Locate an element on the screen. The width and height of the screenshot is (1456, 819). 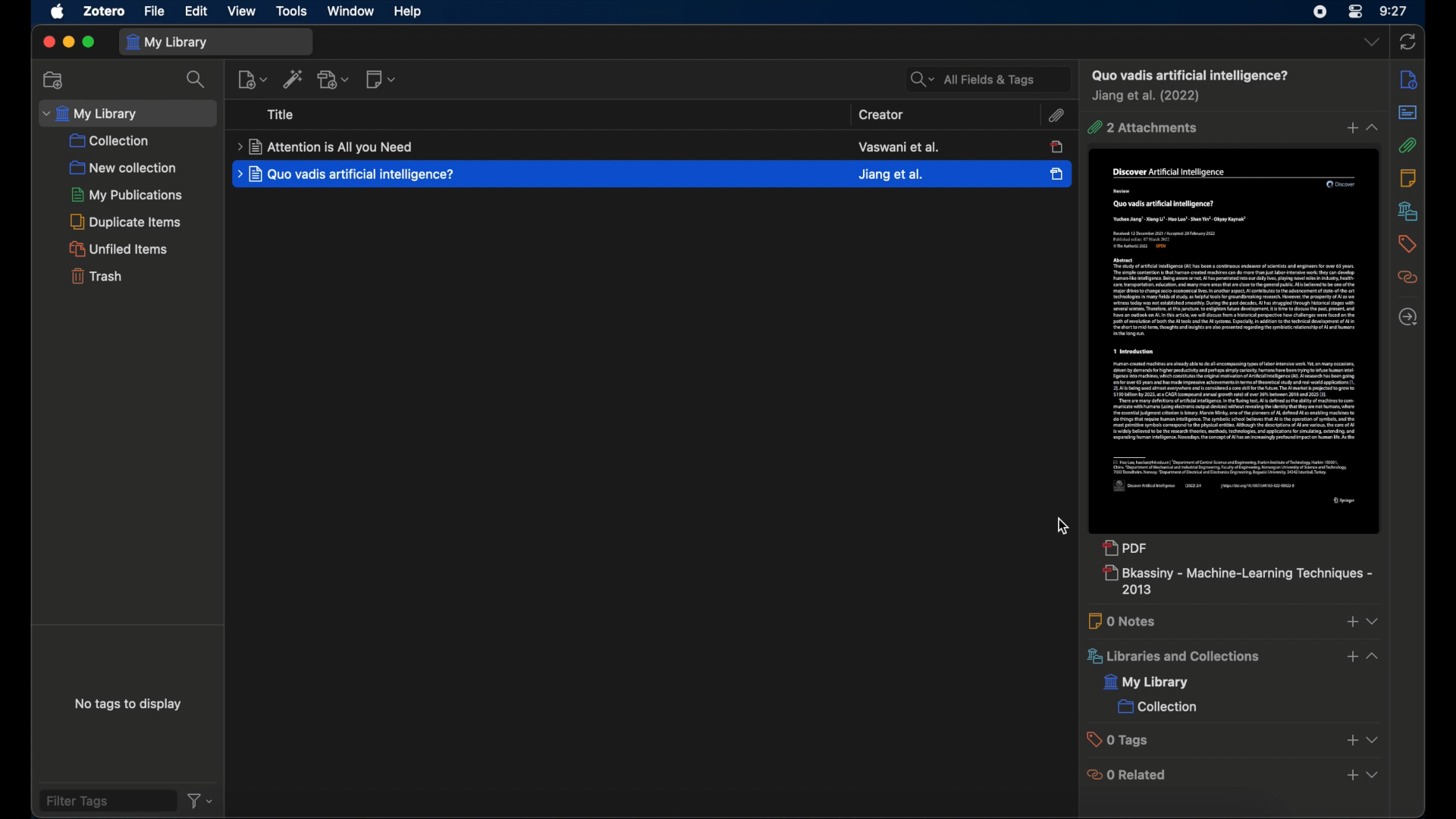
sync is located at coordinates (1407, 41).